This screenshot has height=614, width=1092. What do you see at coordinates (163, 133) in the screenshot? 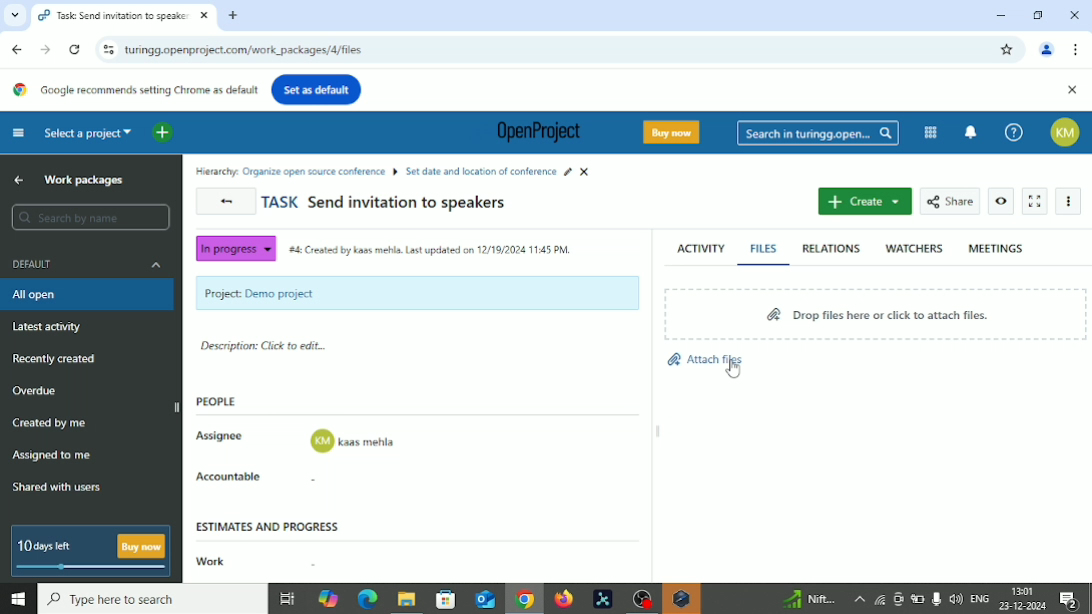
I see `Open quick add menu` at bounding box center [163, 133].